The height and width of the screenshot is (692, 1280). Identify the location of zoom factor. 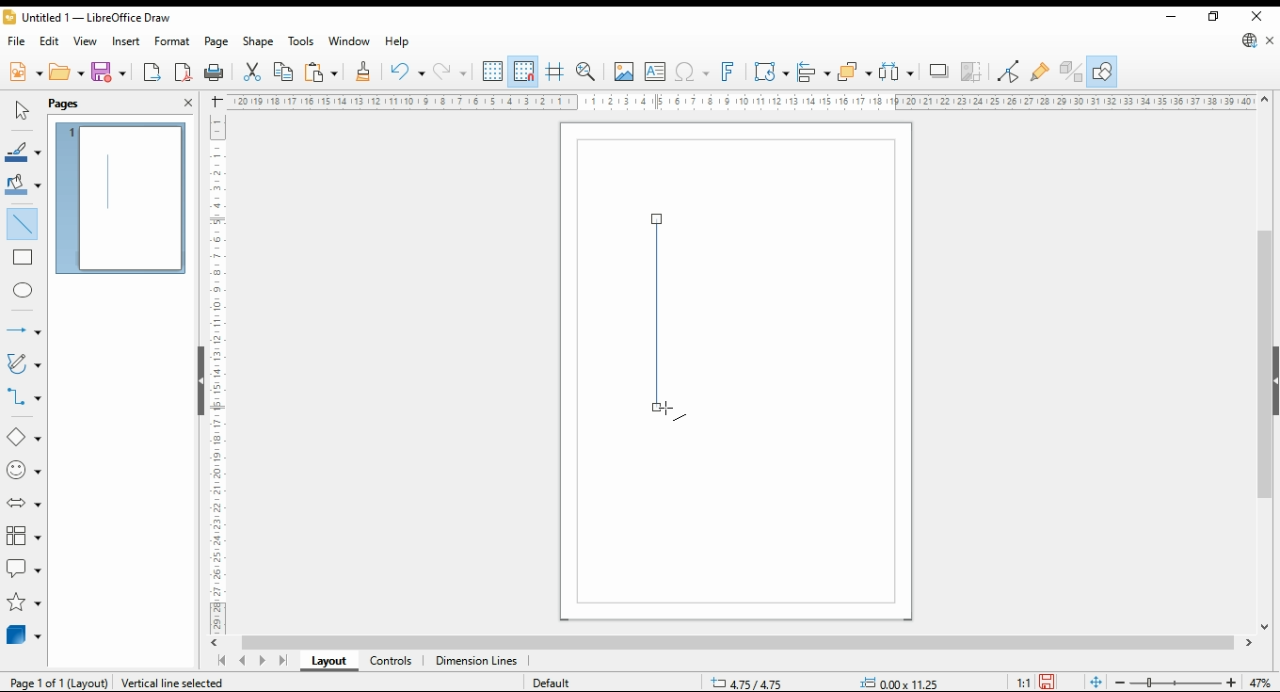
(1262, 683).